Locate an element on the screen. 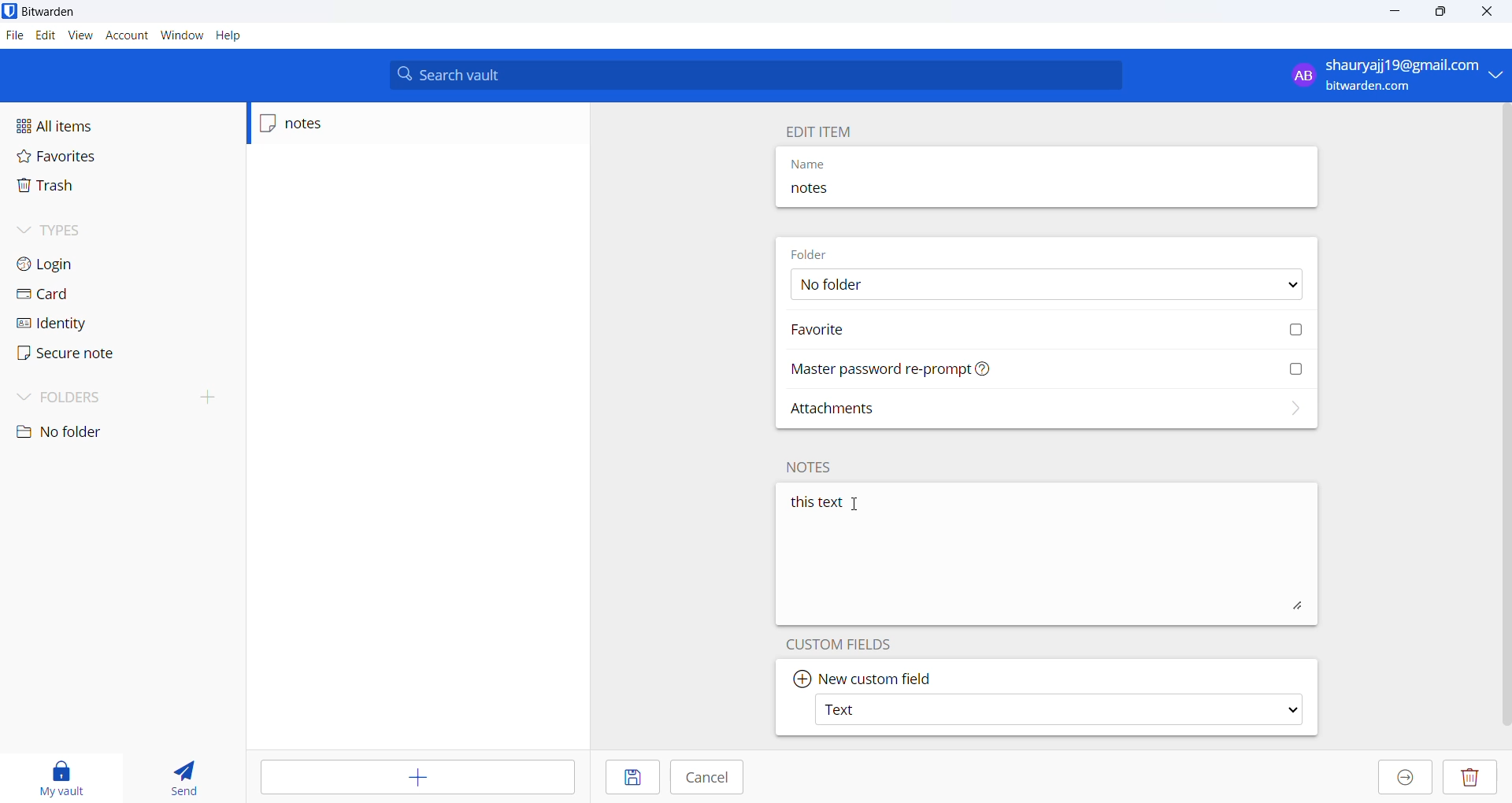 The height and width of the screenshot is (803, 1512). account is located at coordinates (124, 35).